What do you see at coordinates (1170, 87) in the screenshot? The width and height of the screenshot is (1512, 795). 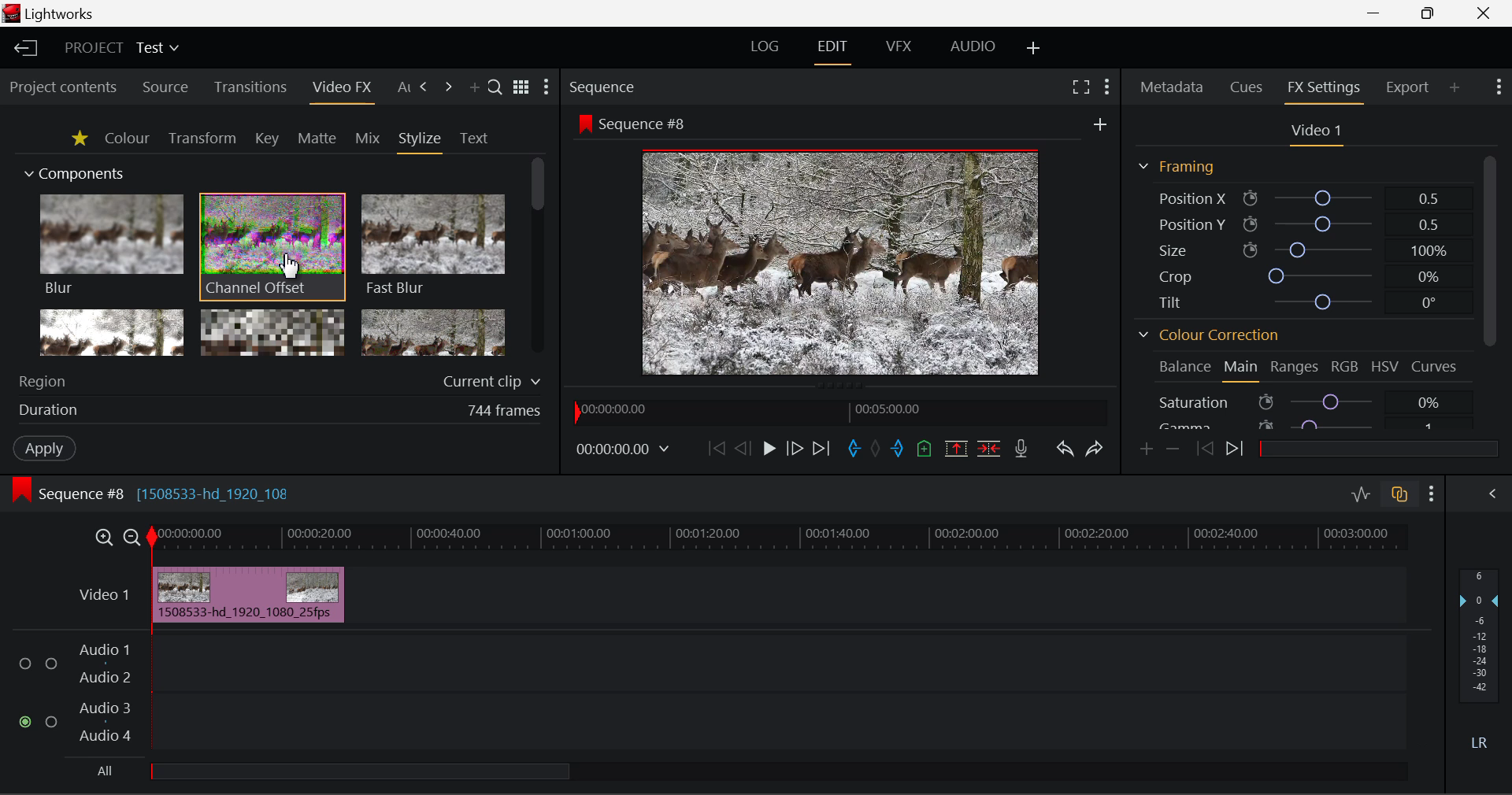 I see `Metadata Tab` at bounding box center [1170, 87].